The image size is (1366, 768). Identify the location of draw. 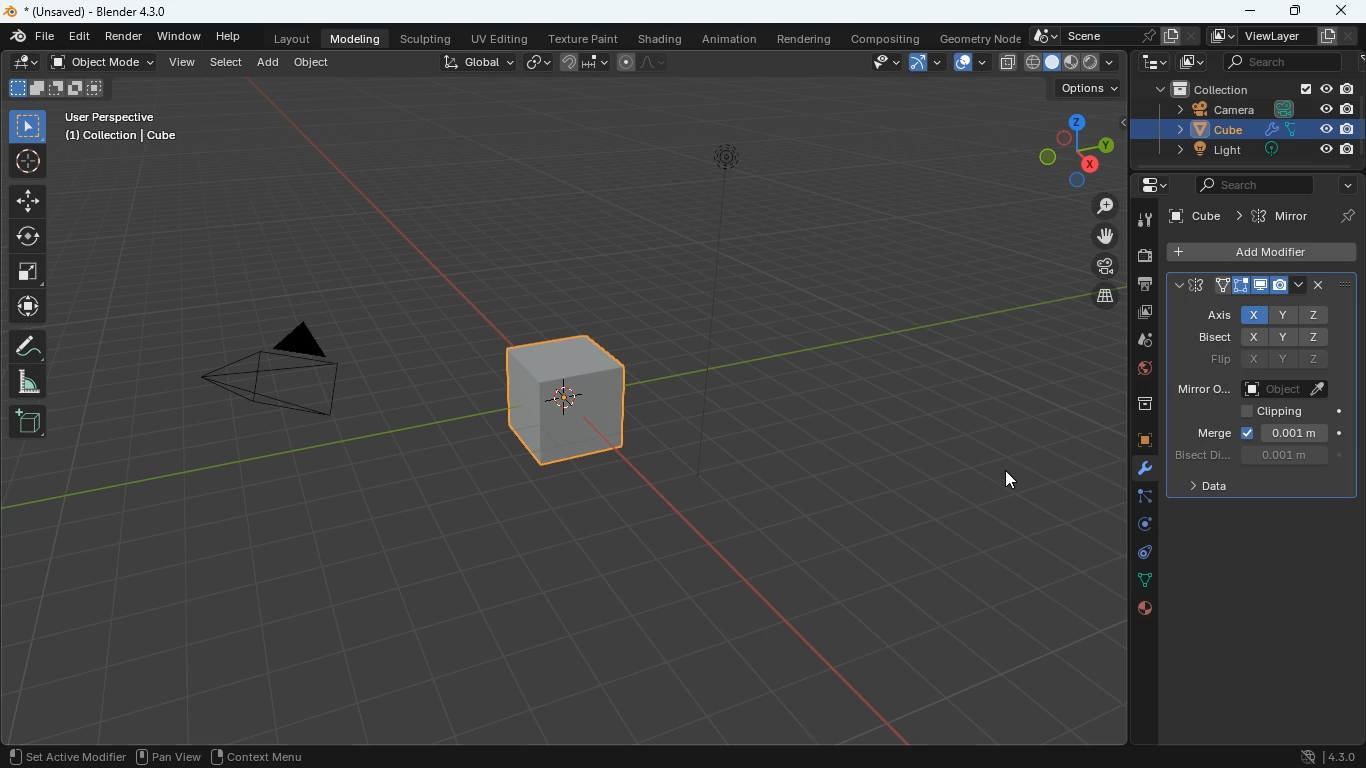
(30, 345).